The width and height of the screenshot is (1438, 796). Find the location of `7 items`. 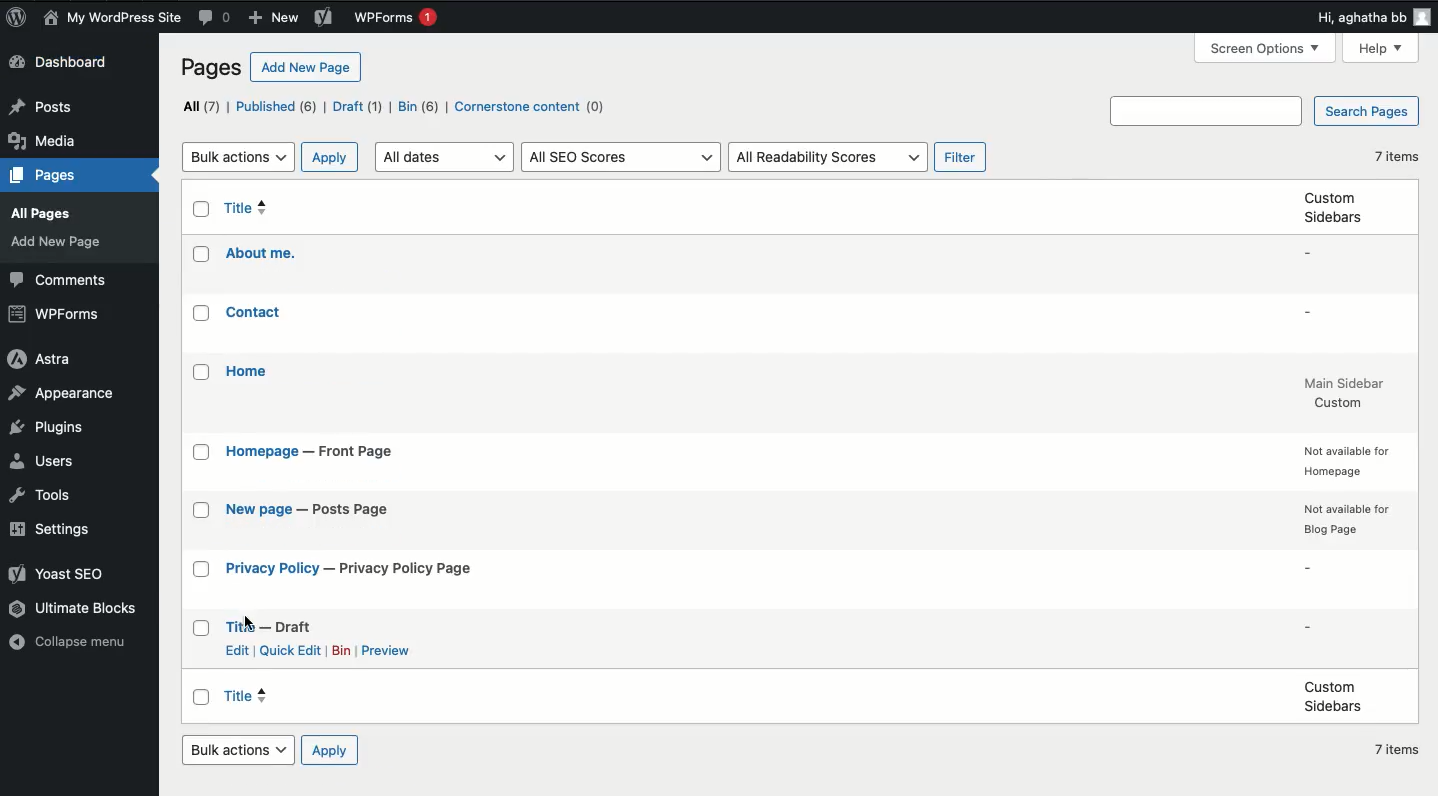

7 items is located at coordinates (1399, 749).